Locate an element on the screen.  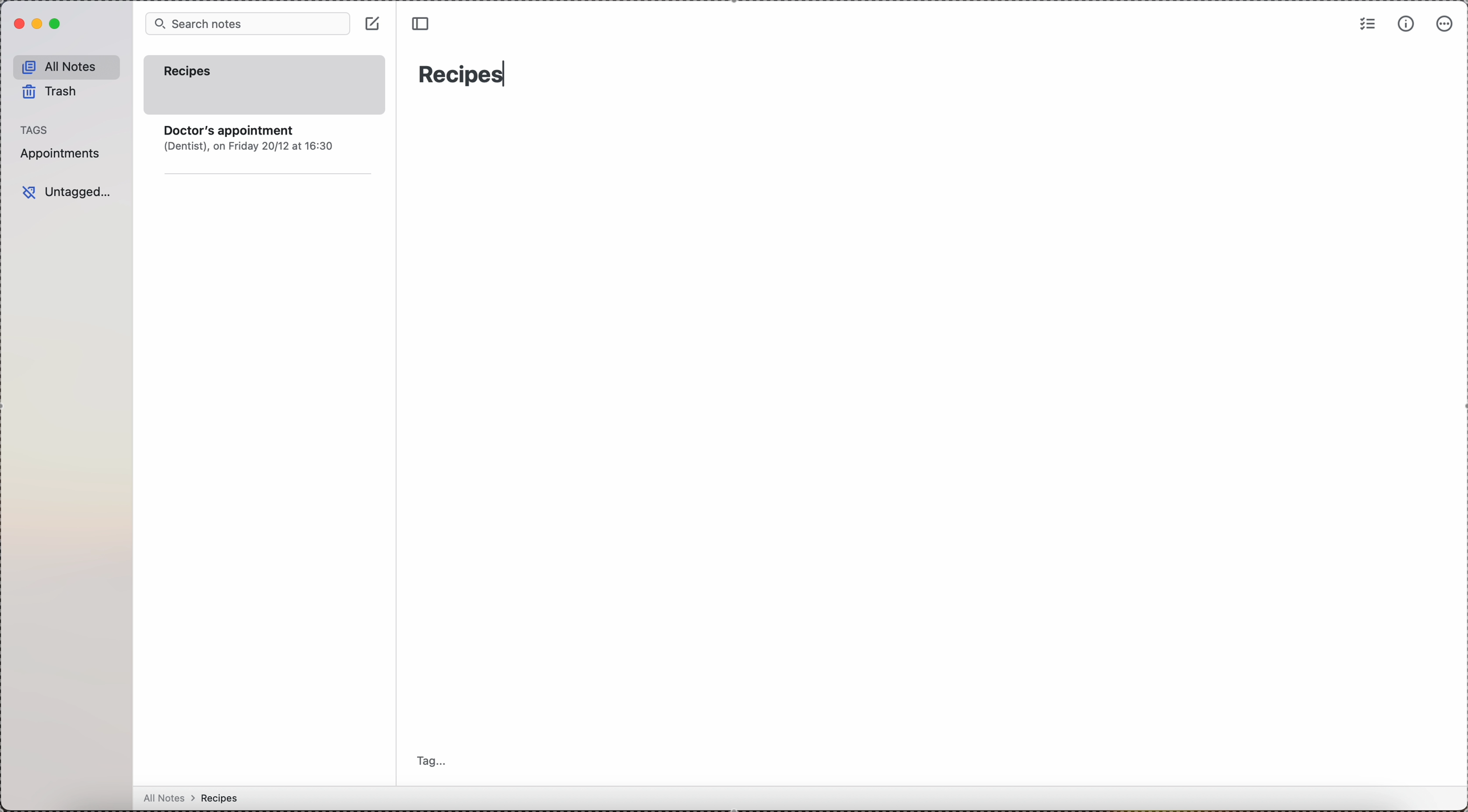
untagged is located at coordinates (64, 191).